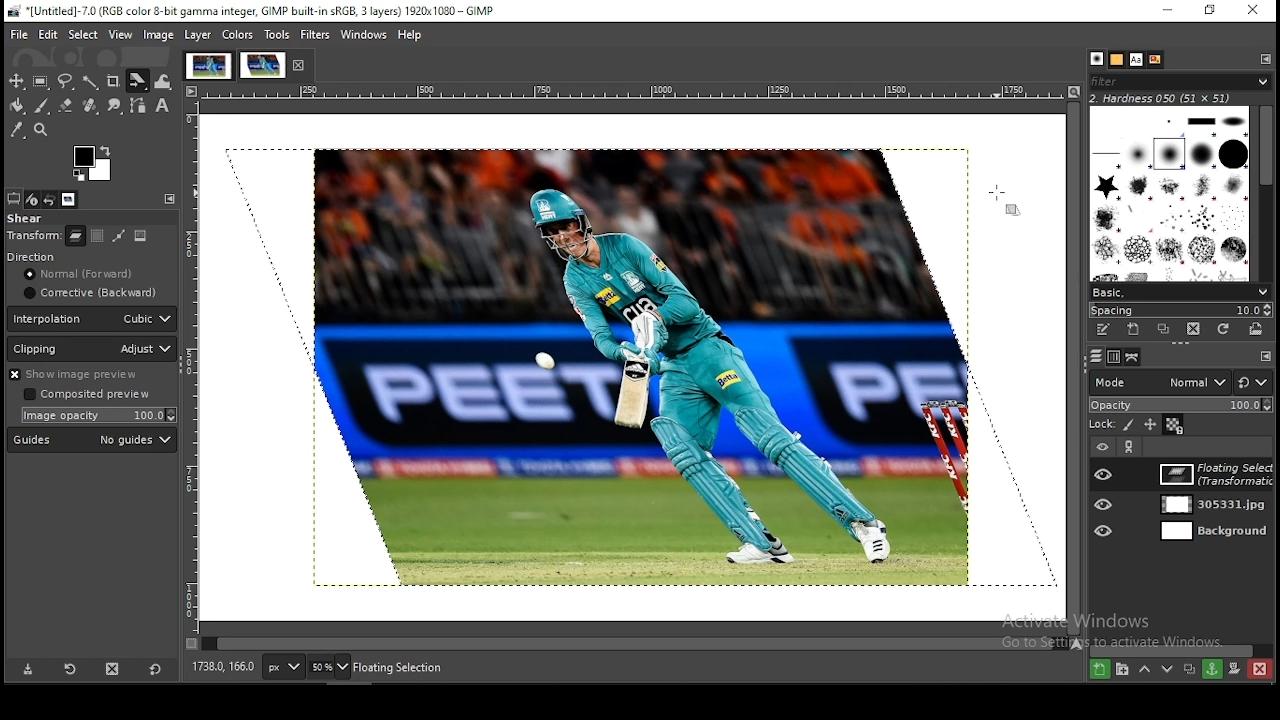 This screenshot has width=1280, height=720. What do you see at coordinates (158, 35) in the screenshot?
I see `image` at bounding box center [158, 35].